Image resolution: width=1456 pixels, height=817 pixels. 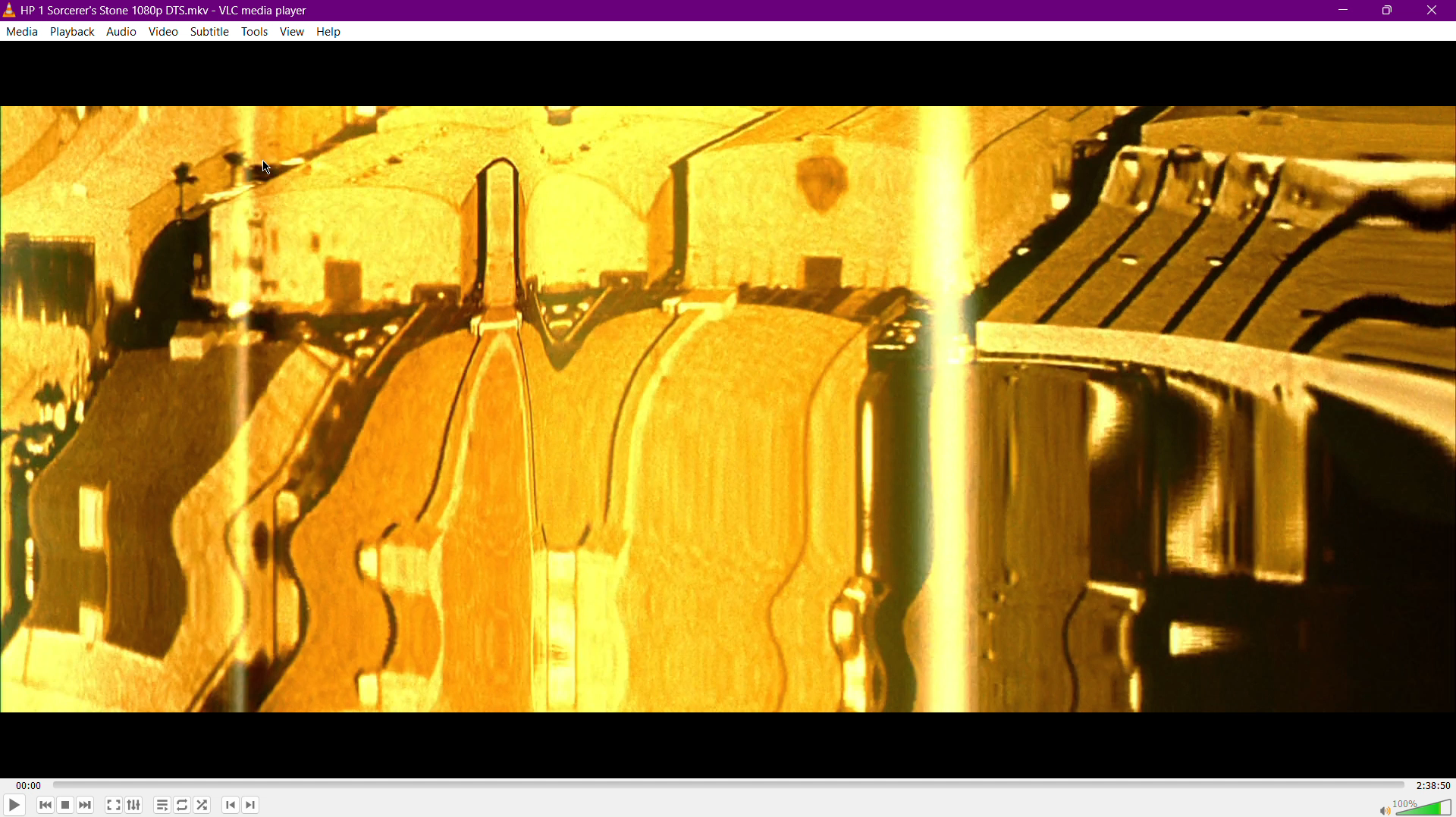 I want to click on HP | Sorcerrer's Stone 1080p DTS.mkv - VLC media player, so click(x=161, y=9).